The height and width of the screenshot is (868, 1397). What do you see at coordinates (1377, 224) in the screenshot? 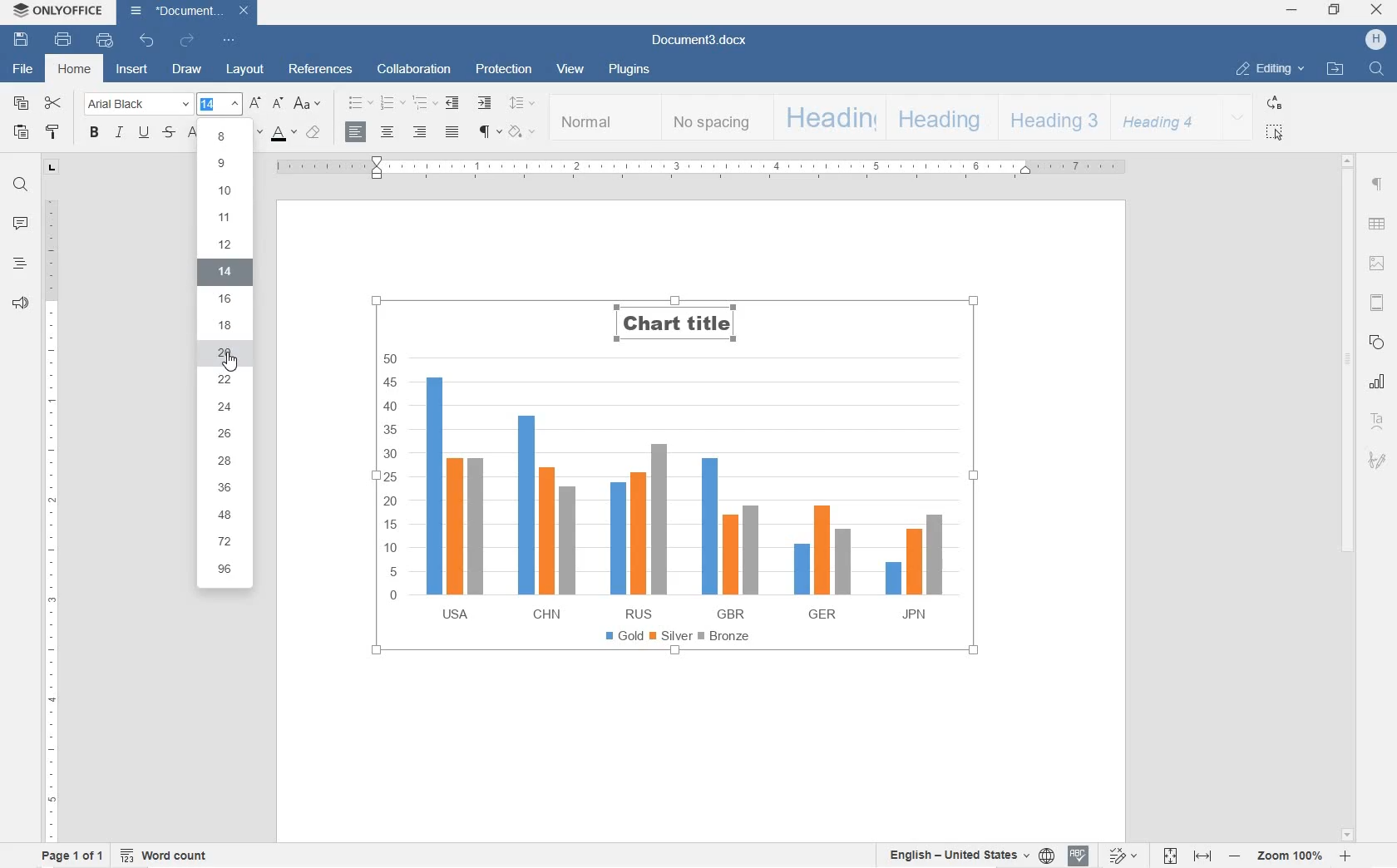
I see `TABLE SETTINGS` at bounding box center [1377, 224].